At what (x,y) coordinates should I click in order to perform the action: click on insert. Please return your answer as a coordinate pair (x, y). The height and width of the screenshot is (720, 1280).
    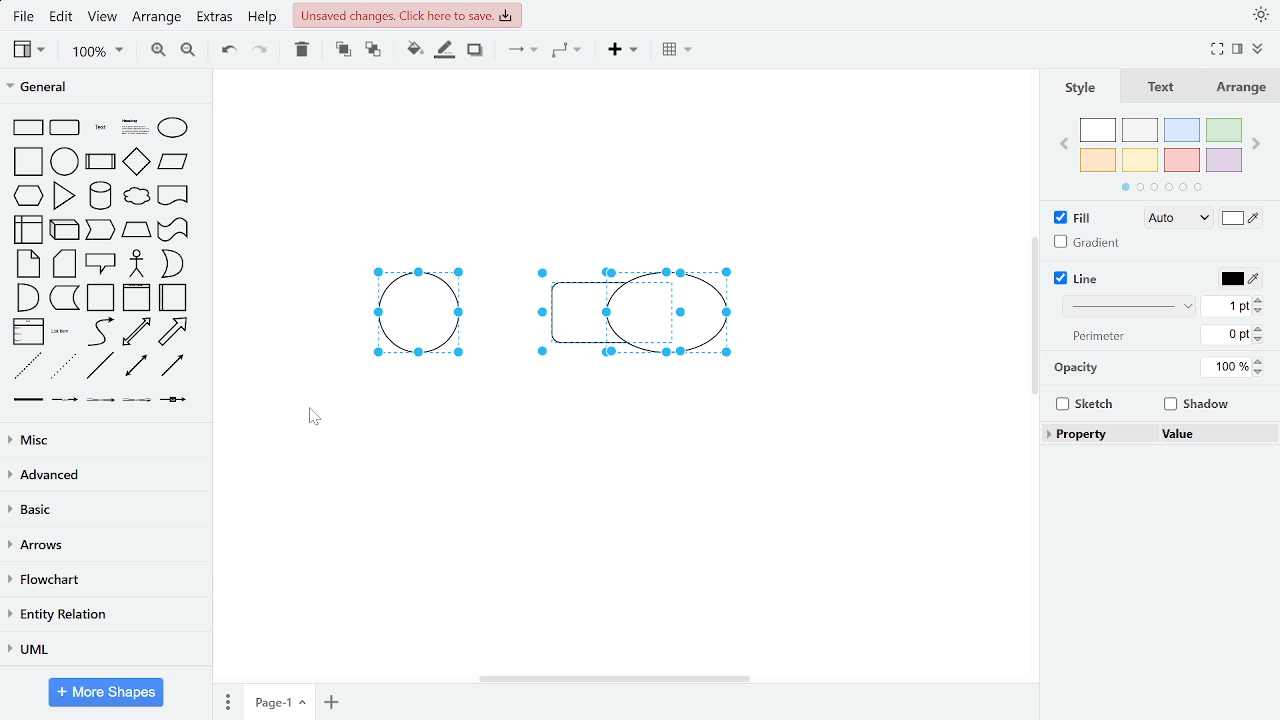
    Looking at the image, I should click on (621, 52).